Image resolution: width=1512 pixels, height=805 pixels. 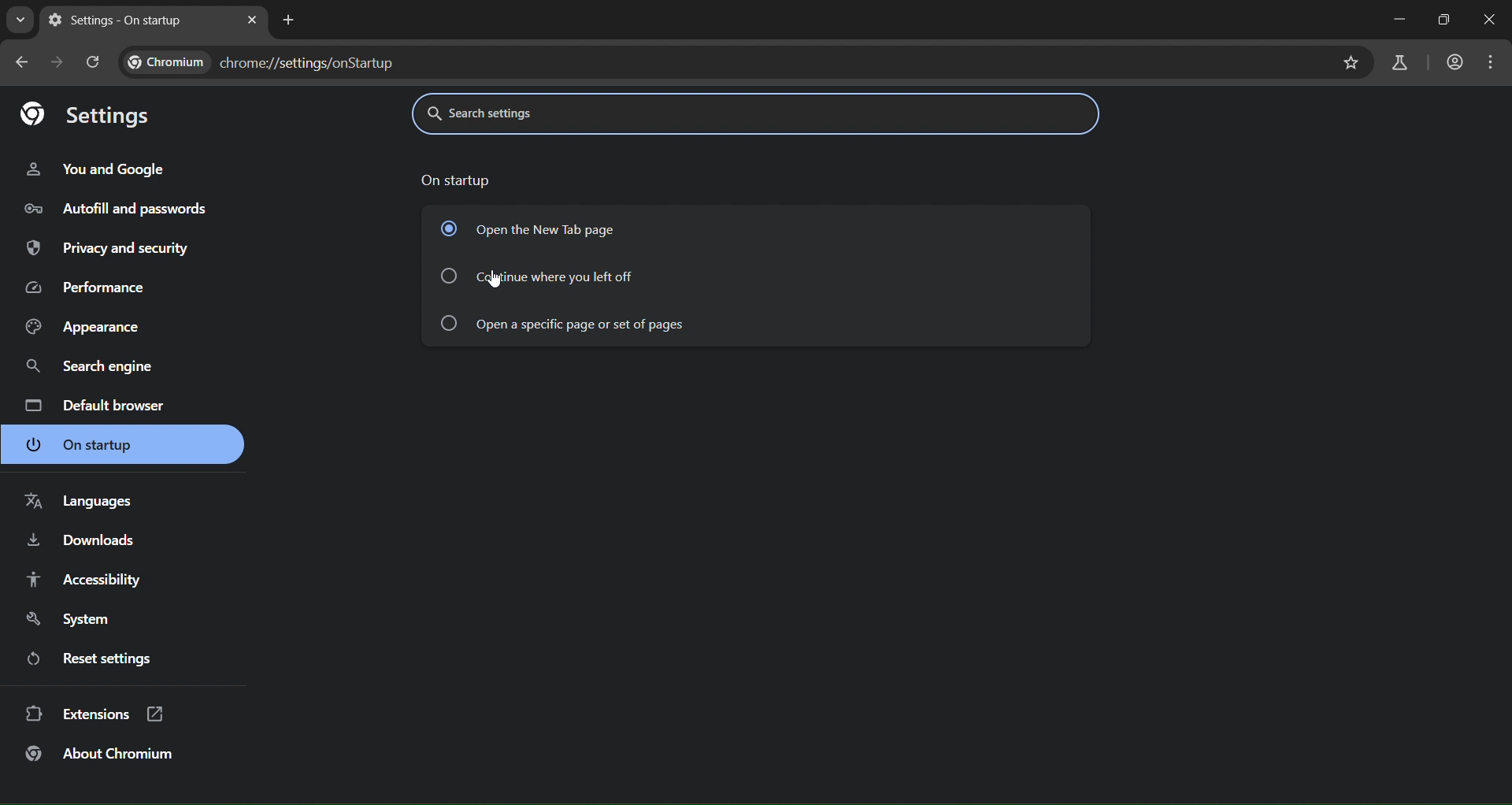 I want to click on open the new tab page, so click(x=539, y=228).